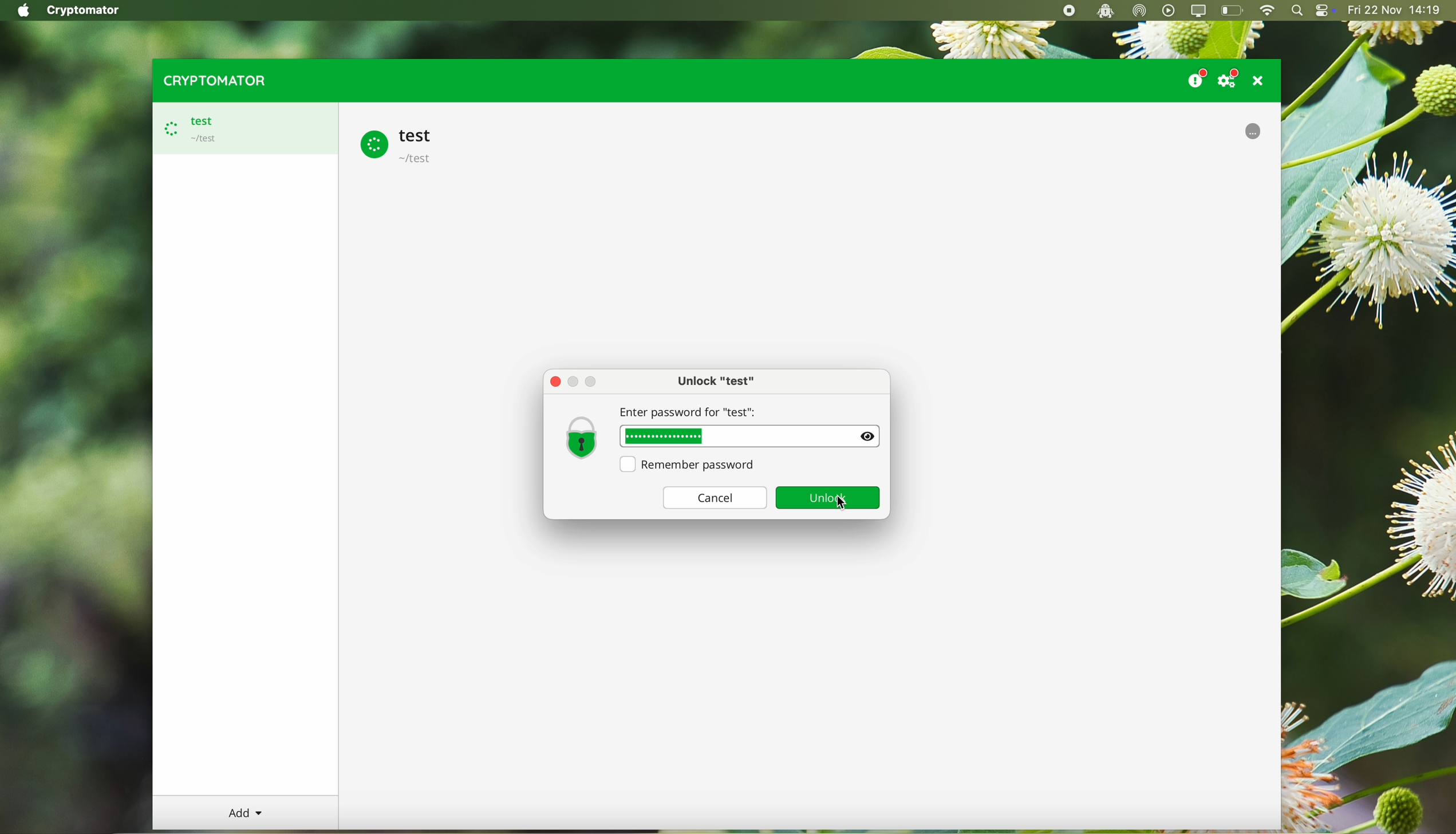 Image resolution: width=1456 pixels, height=834 pixels. What do you see at coordinates (831, 499) in the screenshot?
I see `unlock` at bounding box center [831, 499].